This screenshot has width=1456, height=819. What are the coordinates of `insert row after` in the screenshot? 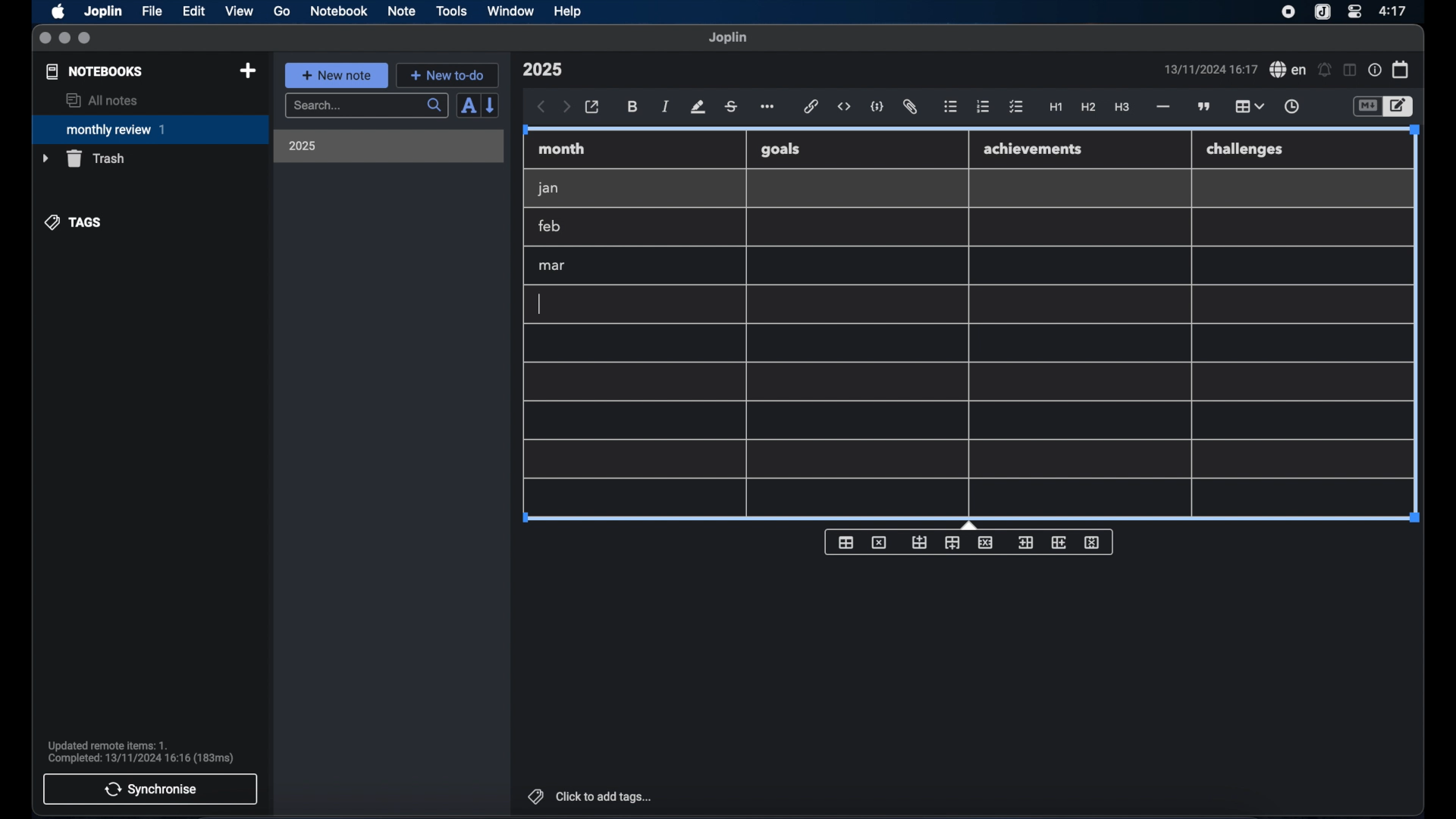 It's located at (952, 543).